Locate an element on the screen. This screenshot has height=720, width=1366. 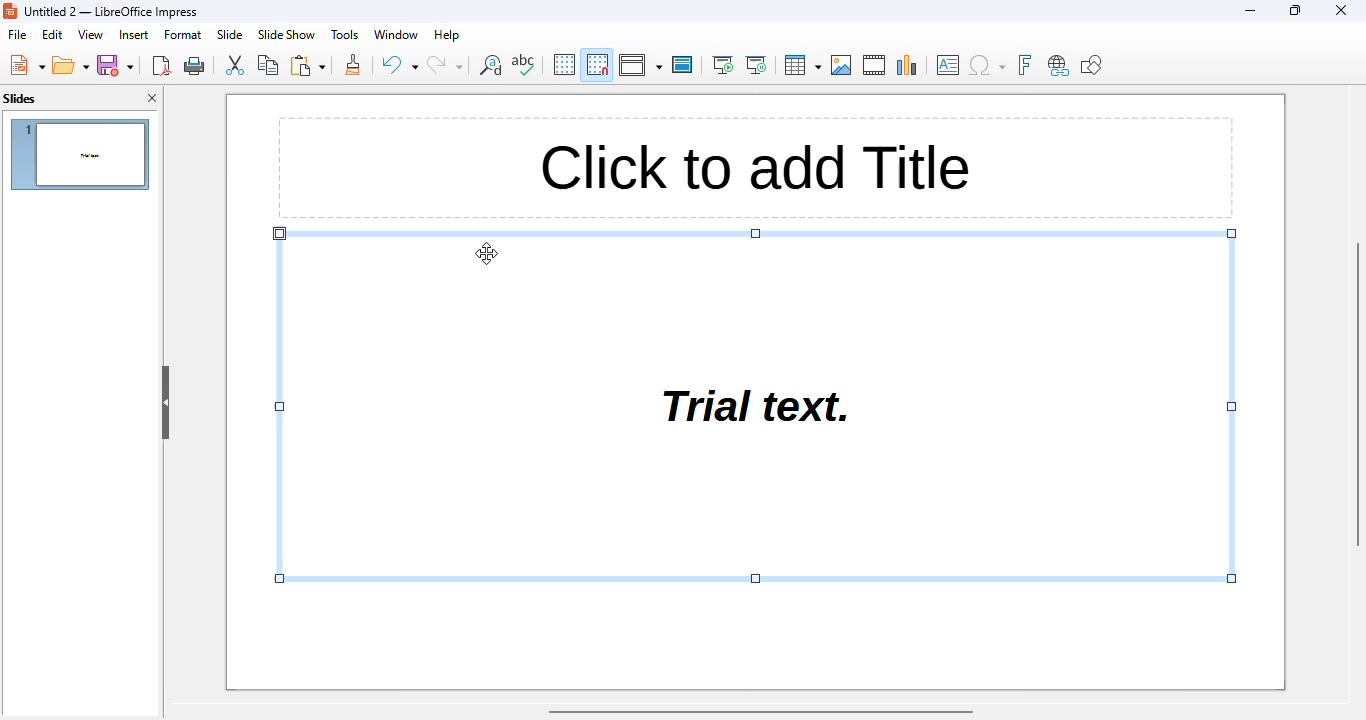
Untitled 2 — LibreOffice Impress is located at coordinates (116, 10).